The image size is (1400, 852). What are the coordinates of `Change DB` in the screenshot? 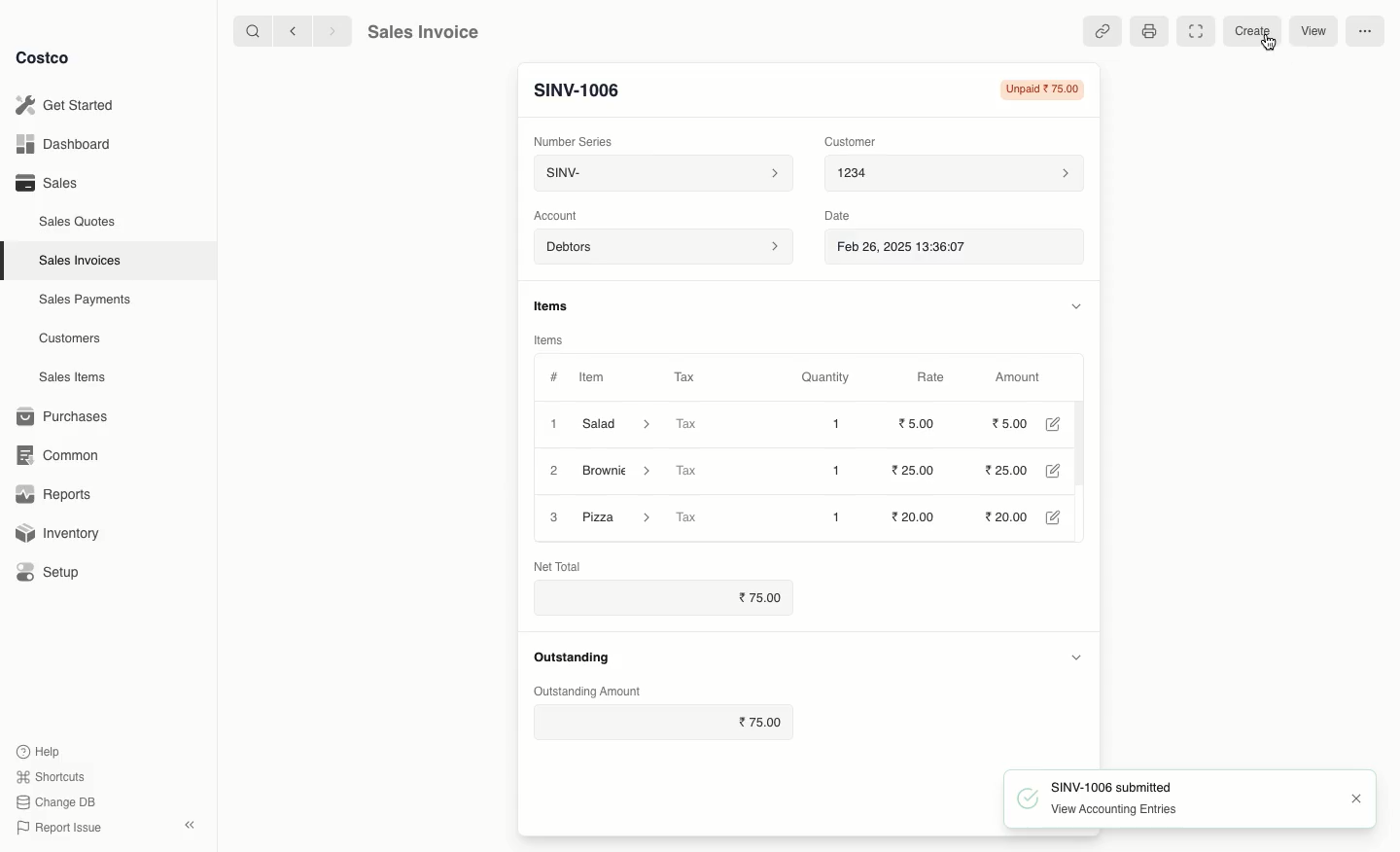 It's located at (52, 800).